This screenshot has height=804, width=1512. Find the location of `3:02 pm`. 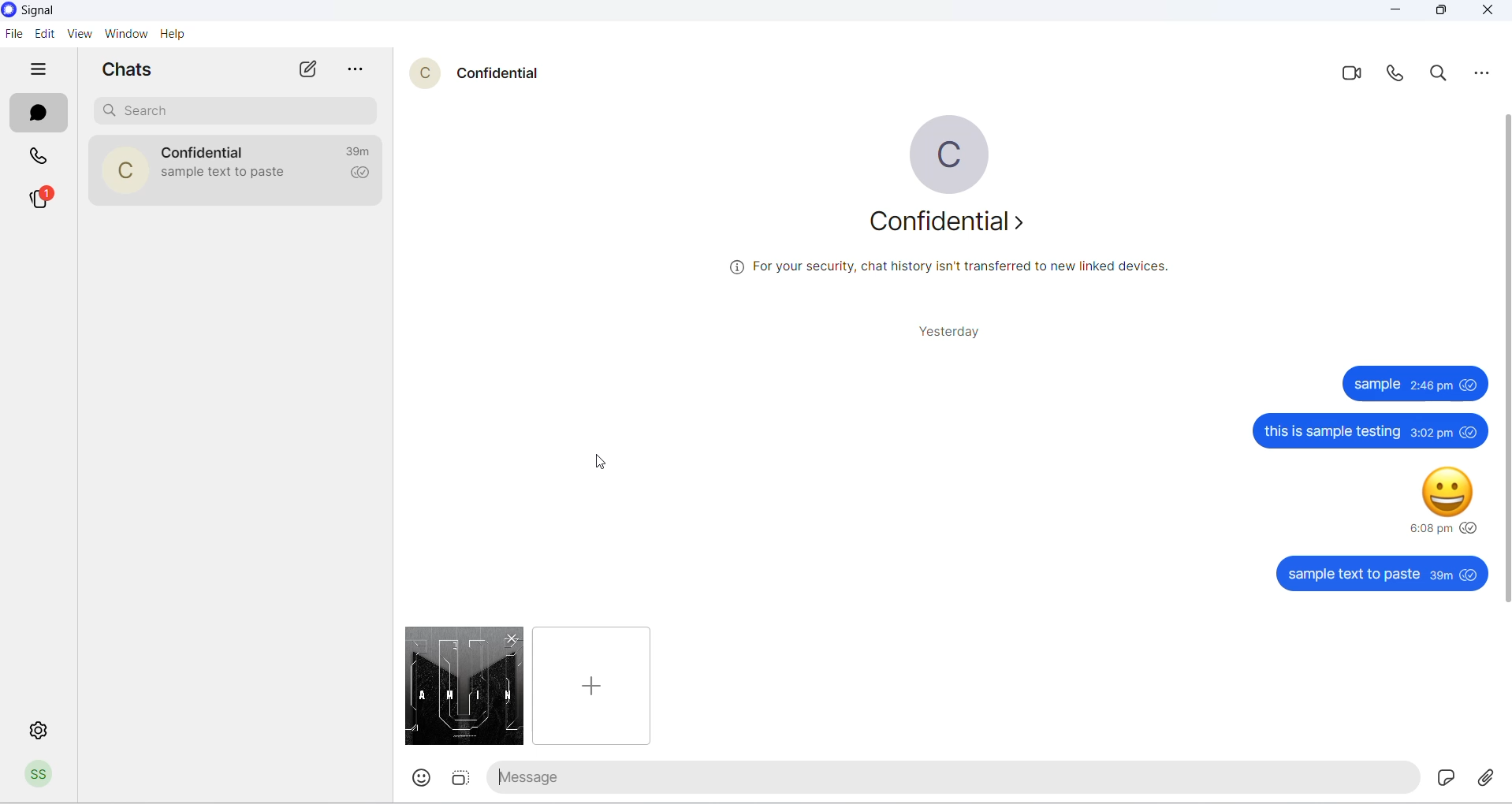

3:02 pm is located at coordinates (1432, 430).